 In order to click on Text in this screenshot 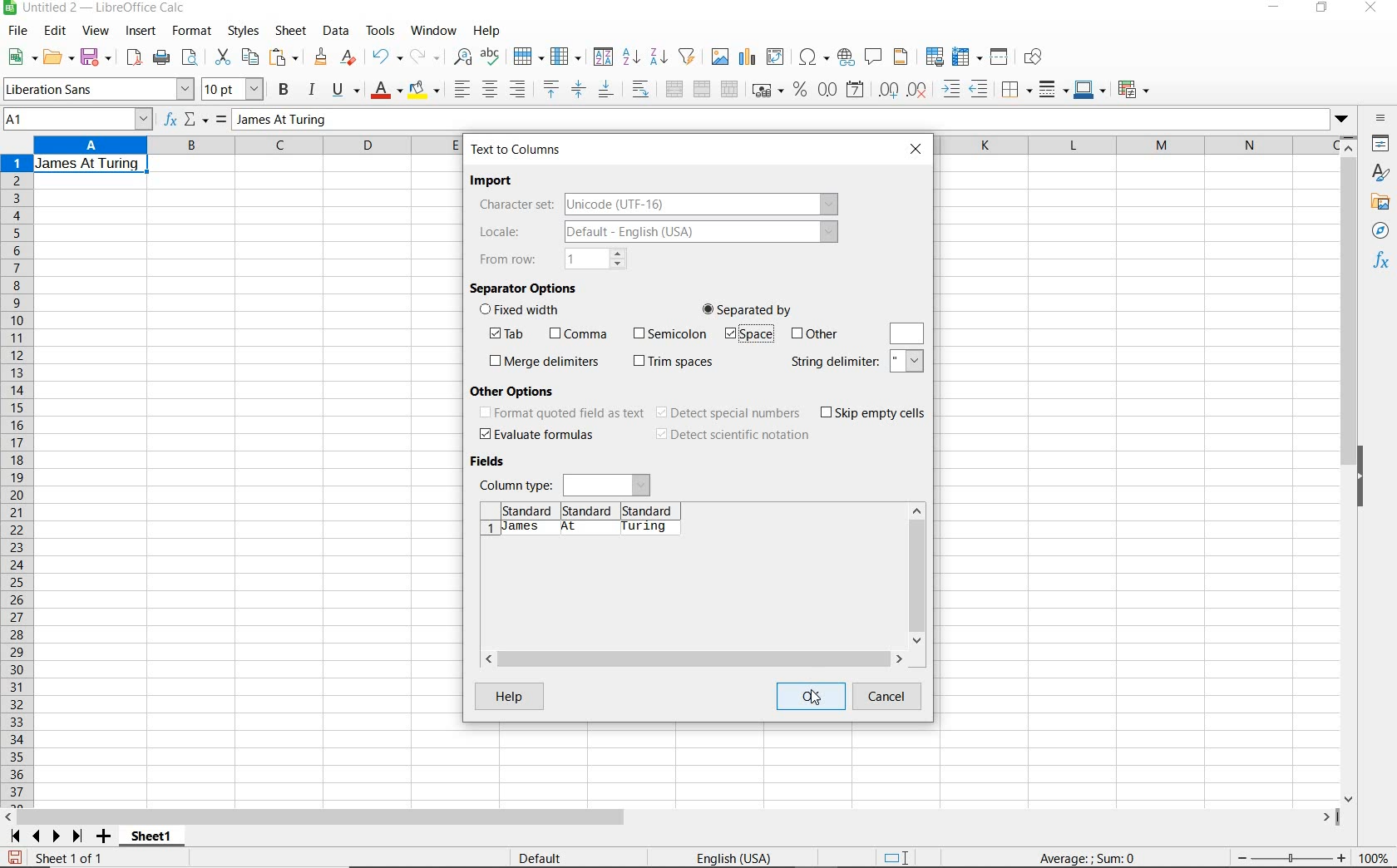, I will do `click(88, 163)`.